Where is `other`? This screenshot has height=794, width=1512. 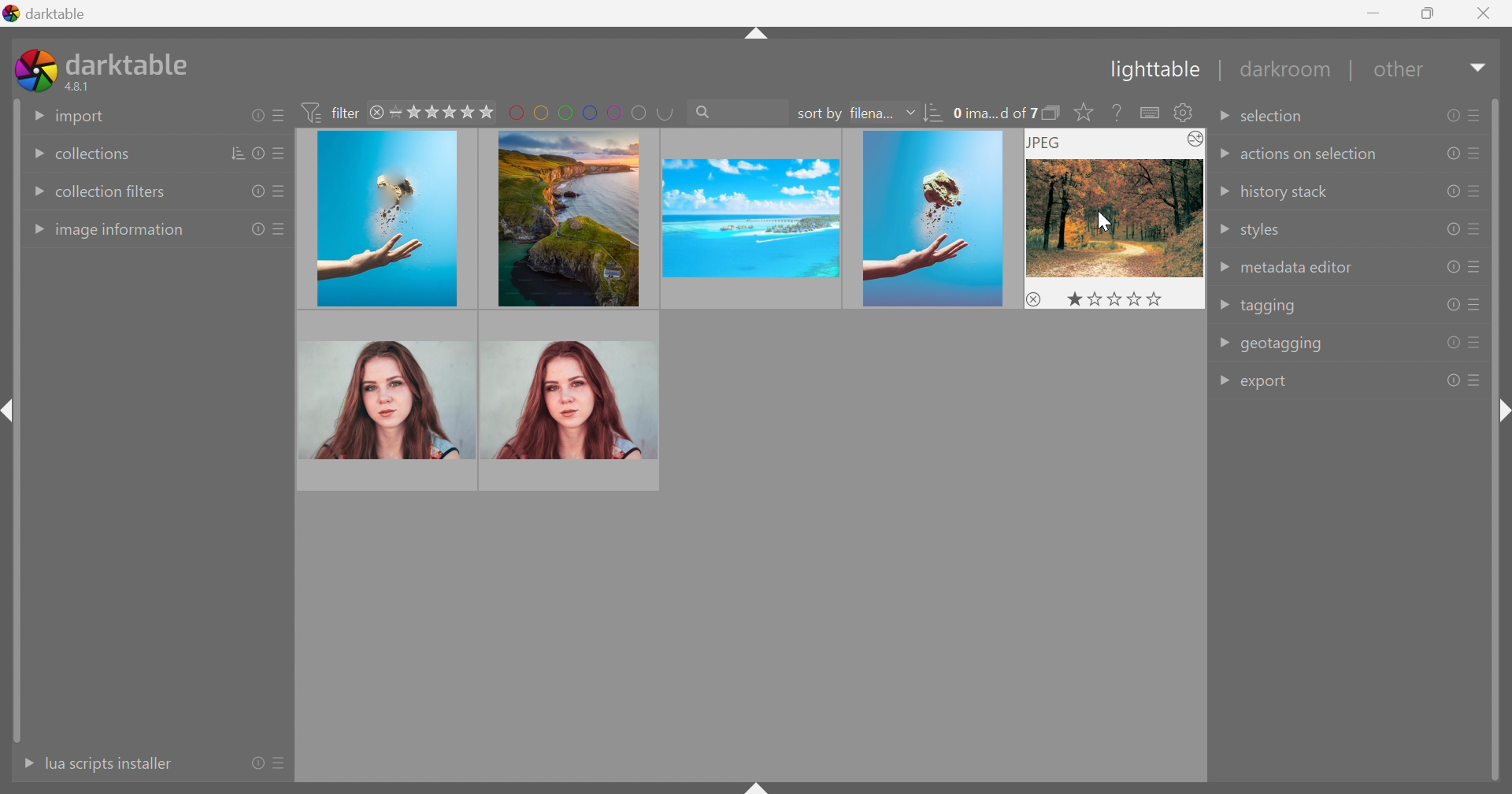
other is located at coordinates (1402, 74).